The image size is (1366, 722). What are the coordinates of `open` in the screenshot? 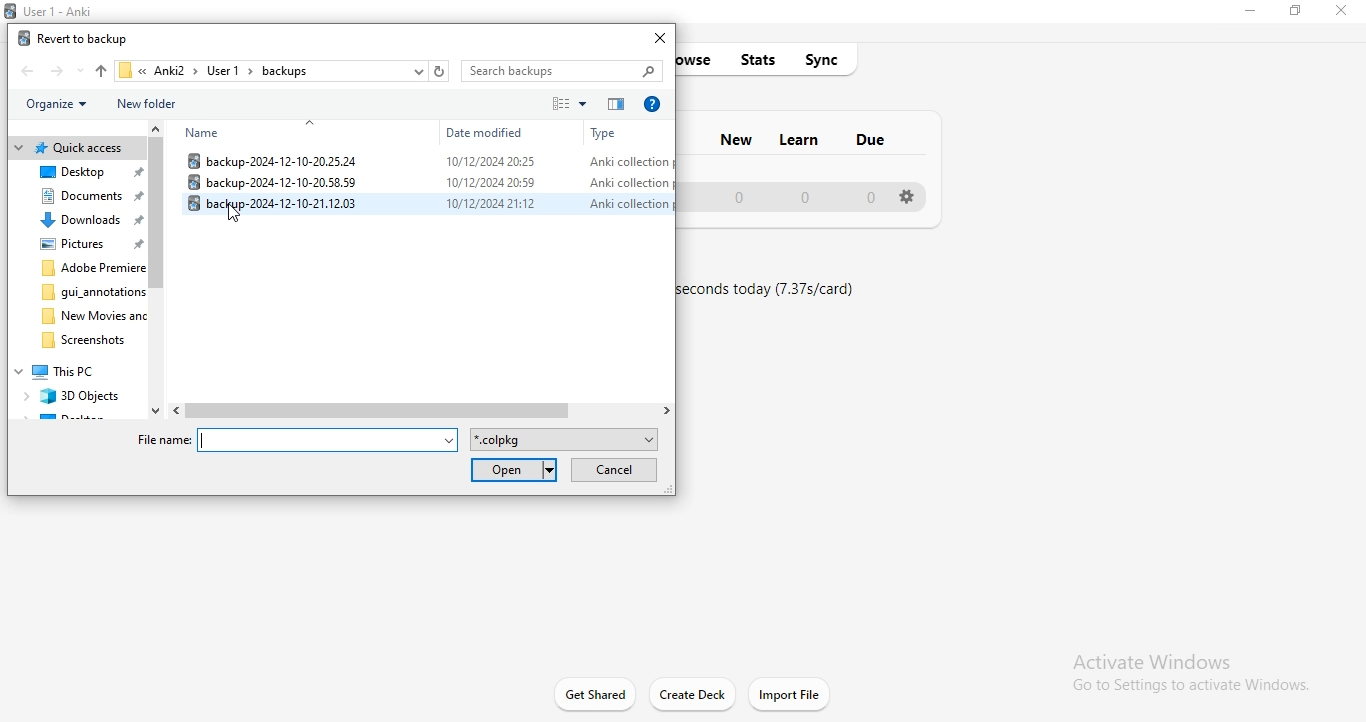 It's located at (516, 470).